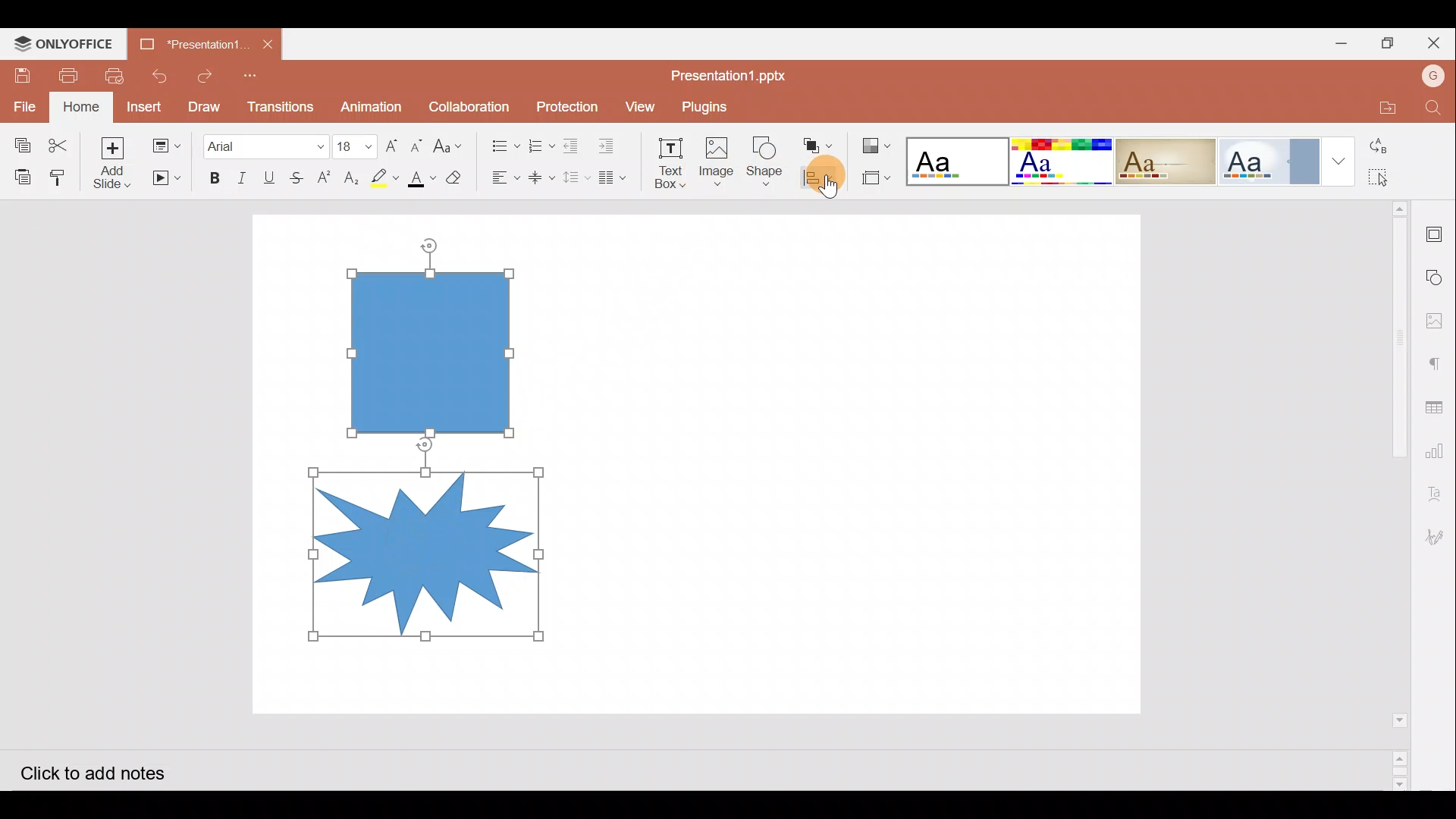 The image size is (1456, 819). What do you see at coordinates (427, 551) in the screenshot?
I see `Object 2` at bounding box center [427, 551].